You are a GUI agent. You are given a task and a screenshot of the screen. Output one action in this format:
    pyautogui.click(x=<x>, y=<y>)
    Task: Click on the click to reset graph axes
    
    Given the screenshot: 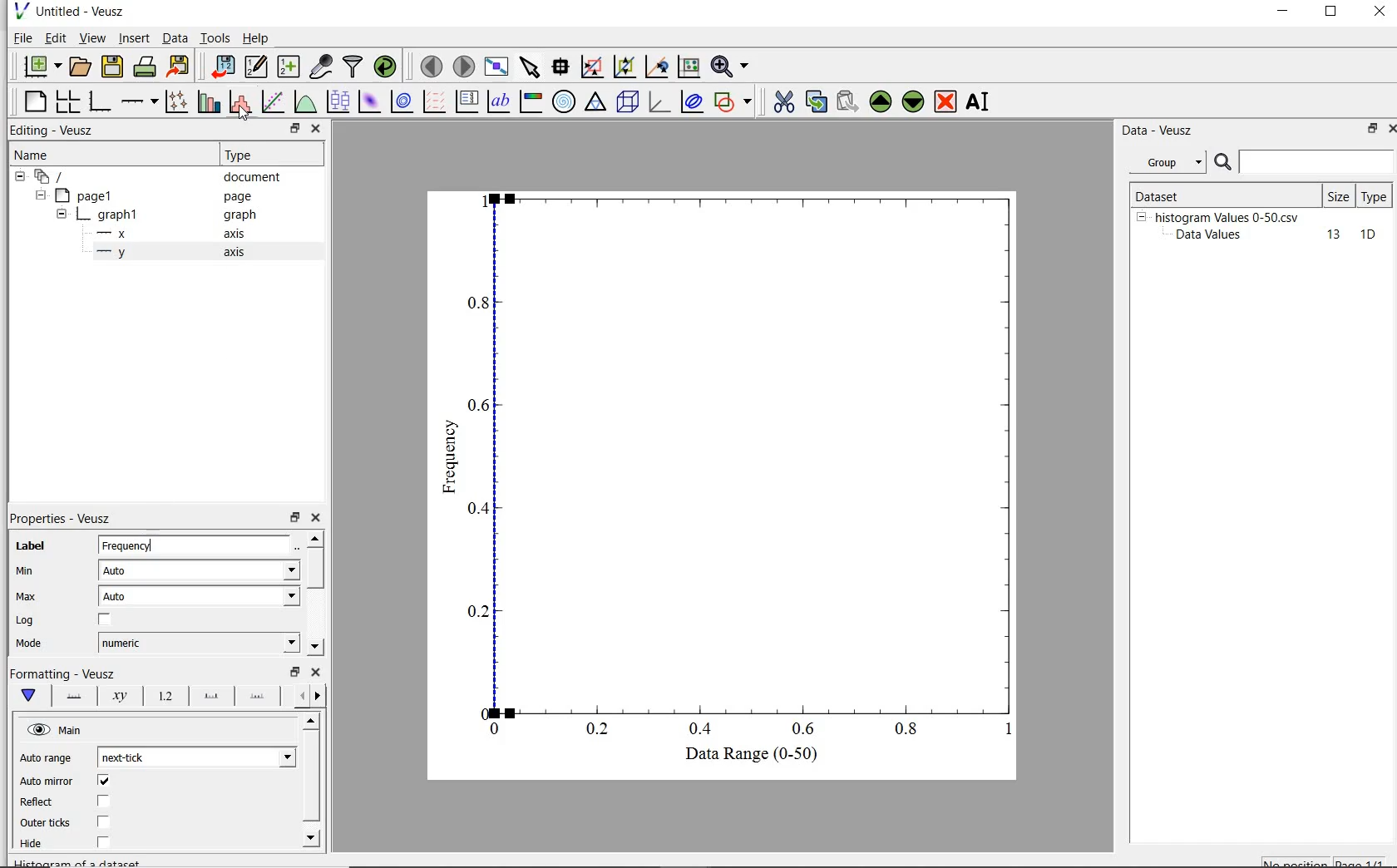 What is the action you would take?
    pyautogui.click(x=591, y=67)
    